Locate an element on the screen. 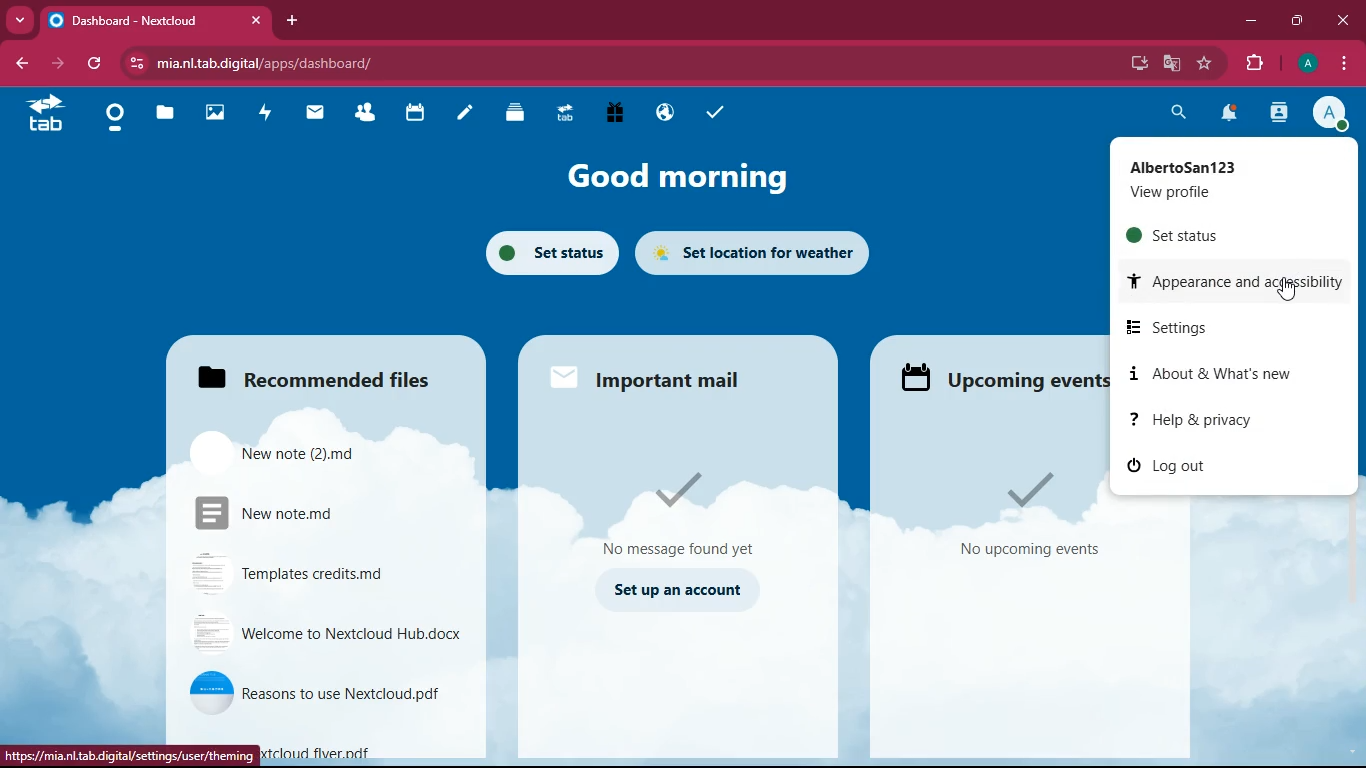  files is located at coordinates (160, 115).